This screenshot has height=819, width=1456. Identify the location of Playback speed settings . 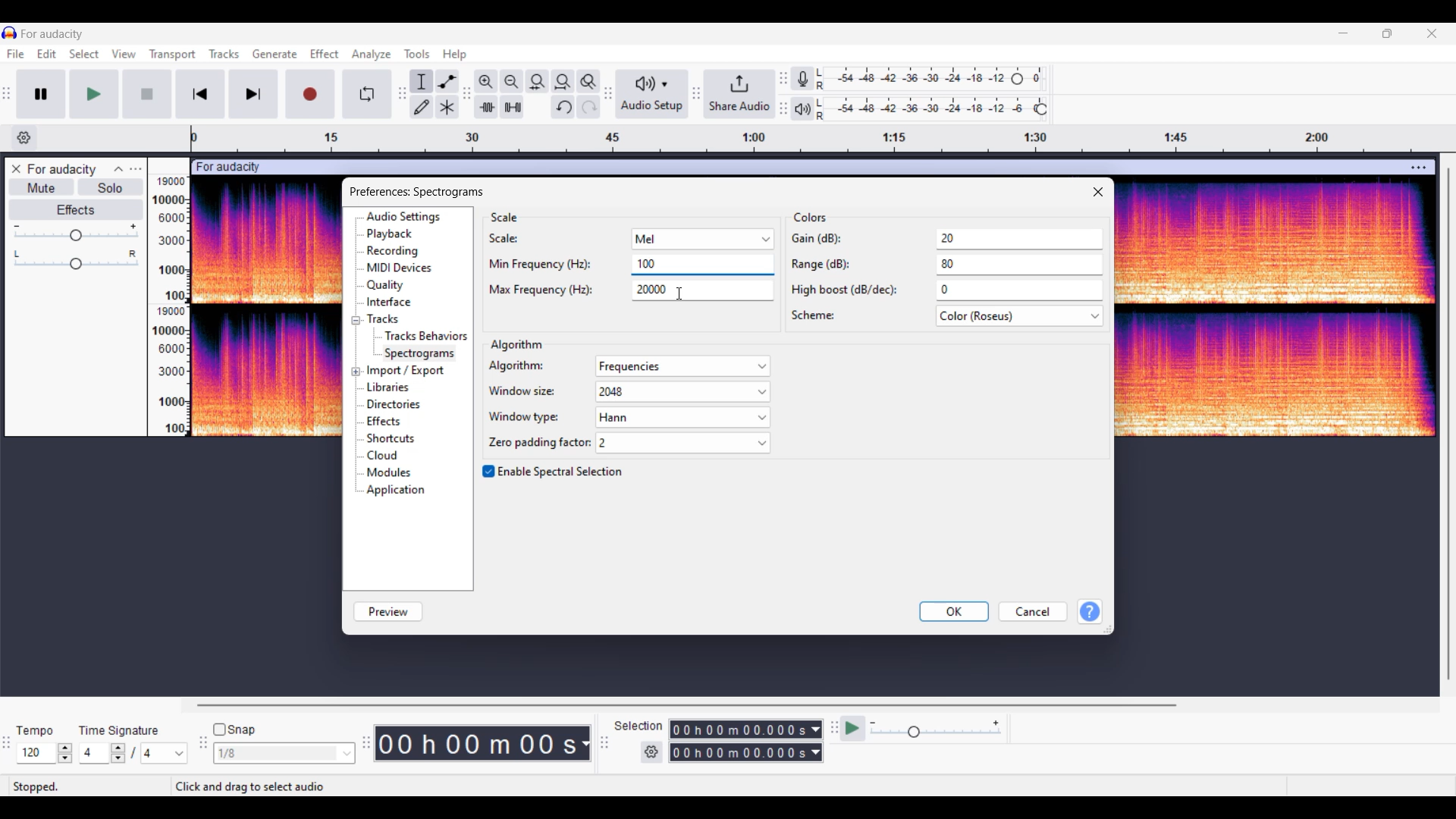
(922, 728).